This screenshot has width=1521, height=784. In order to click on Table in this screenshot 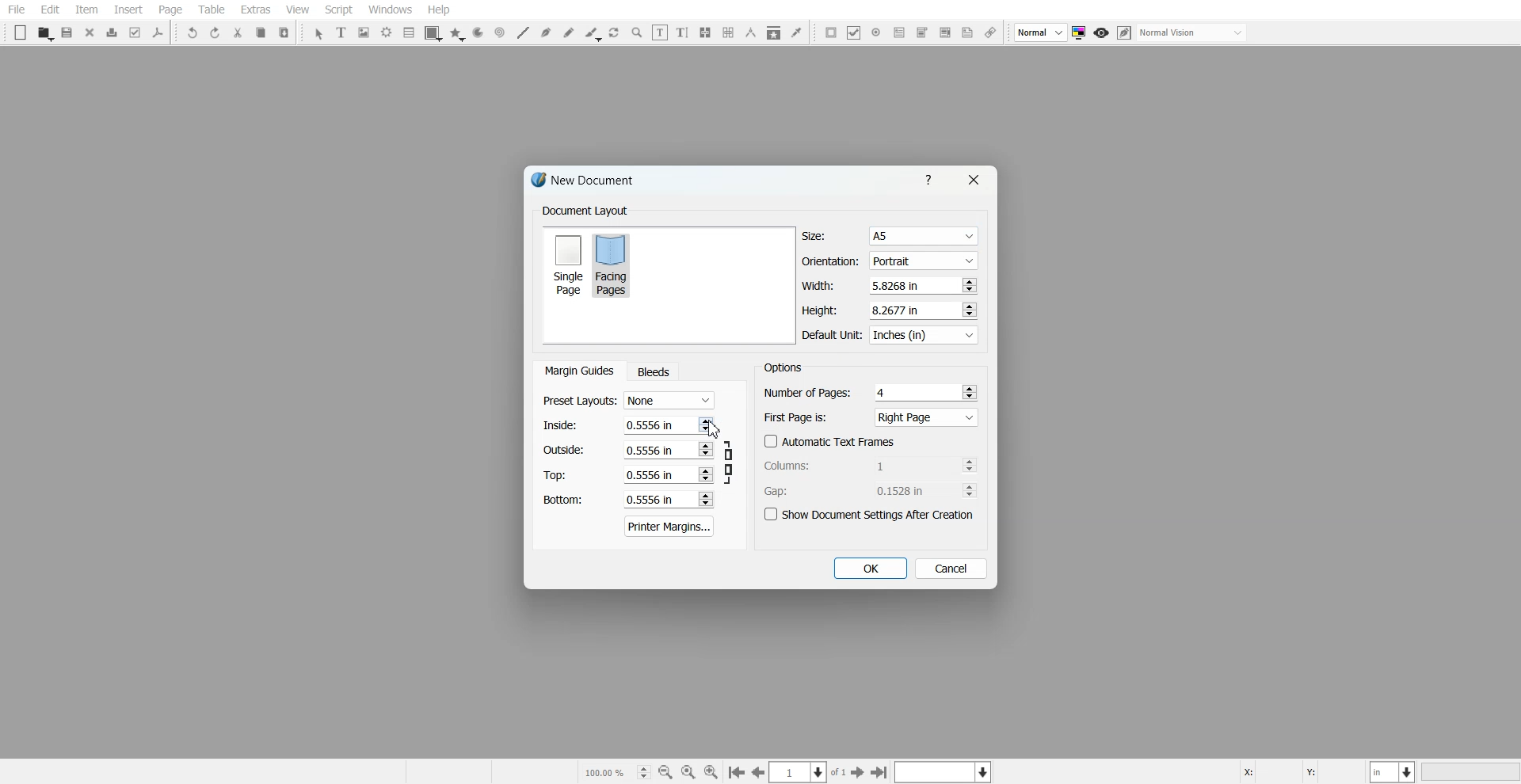, I will do `click(211, 10)`.